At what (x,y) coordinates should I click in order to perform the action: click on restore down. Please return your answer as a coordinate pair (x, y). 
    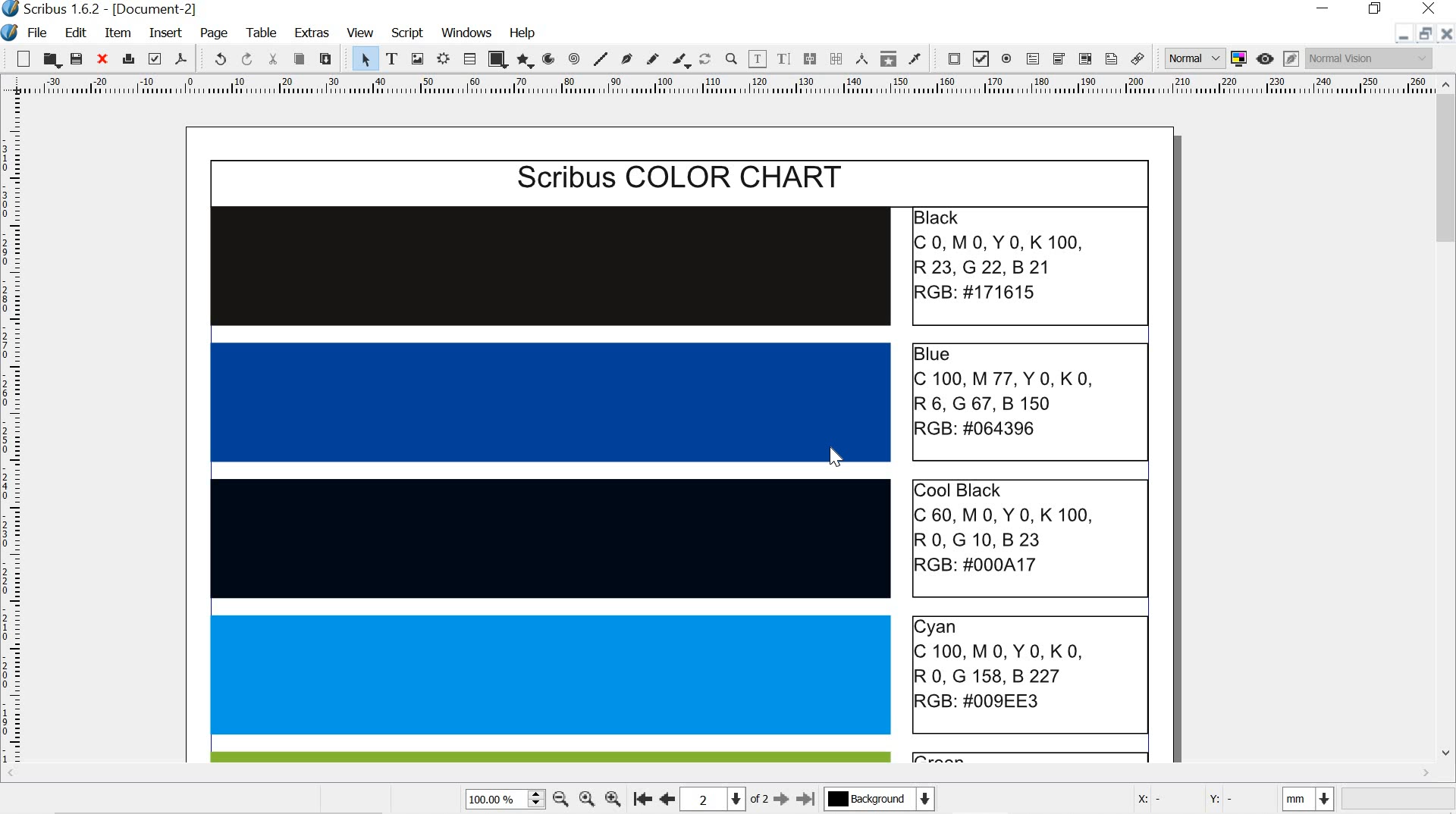
    Looking at the image, I should click on (1377, 9).